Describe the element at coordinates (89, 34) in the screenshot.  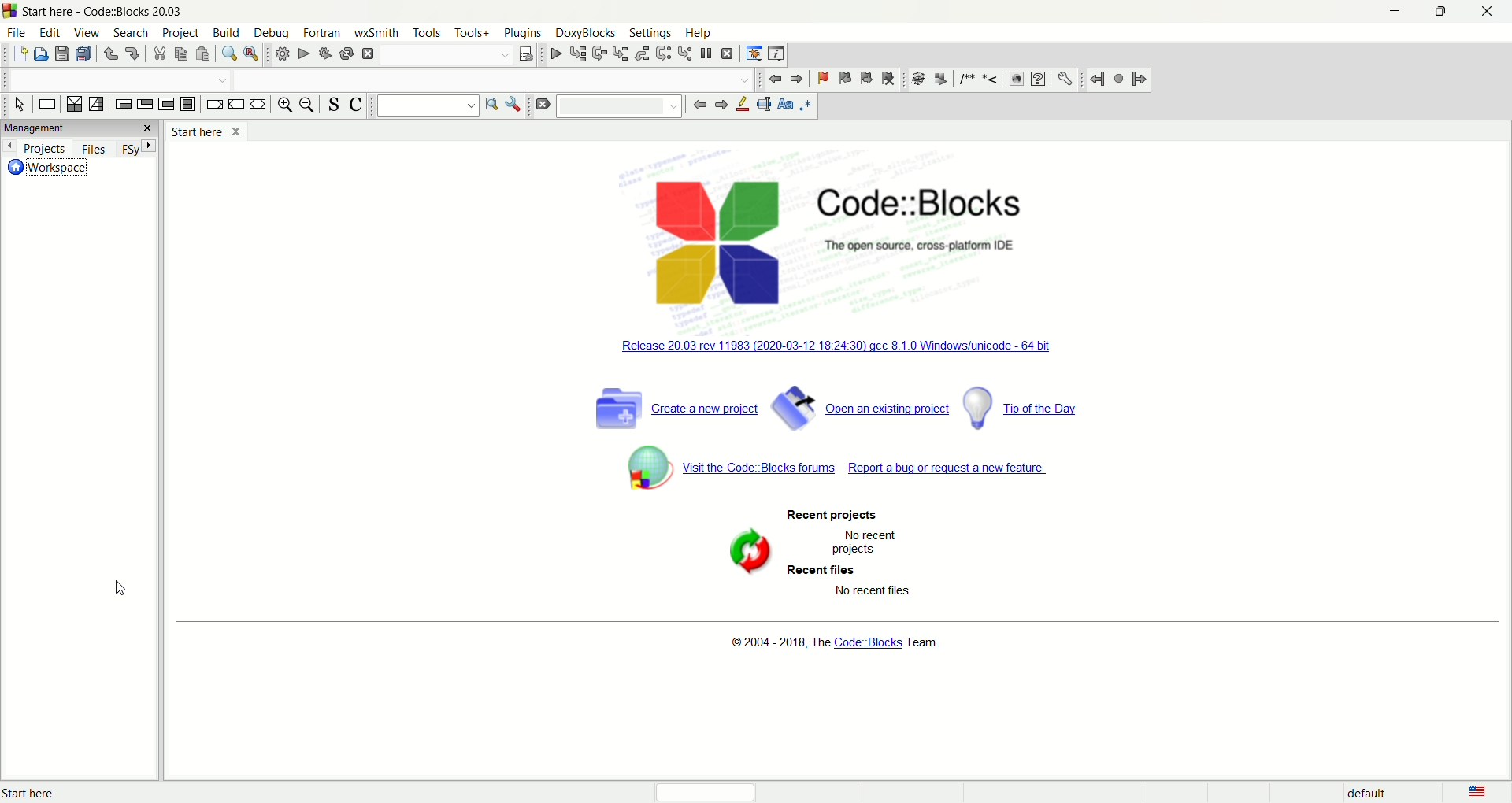
I see `view` at that location.